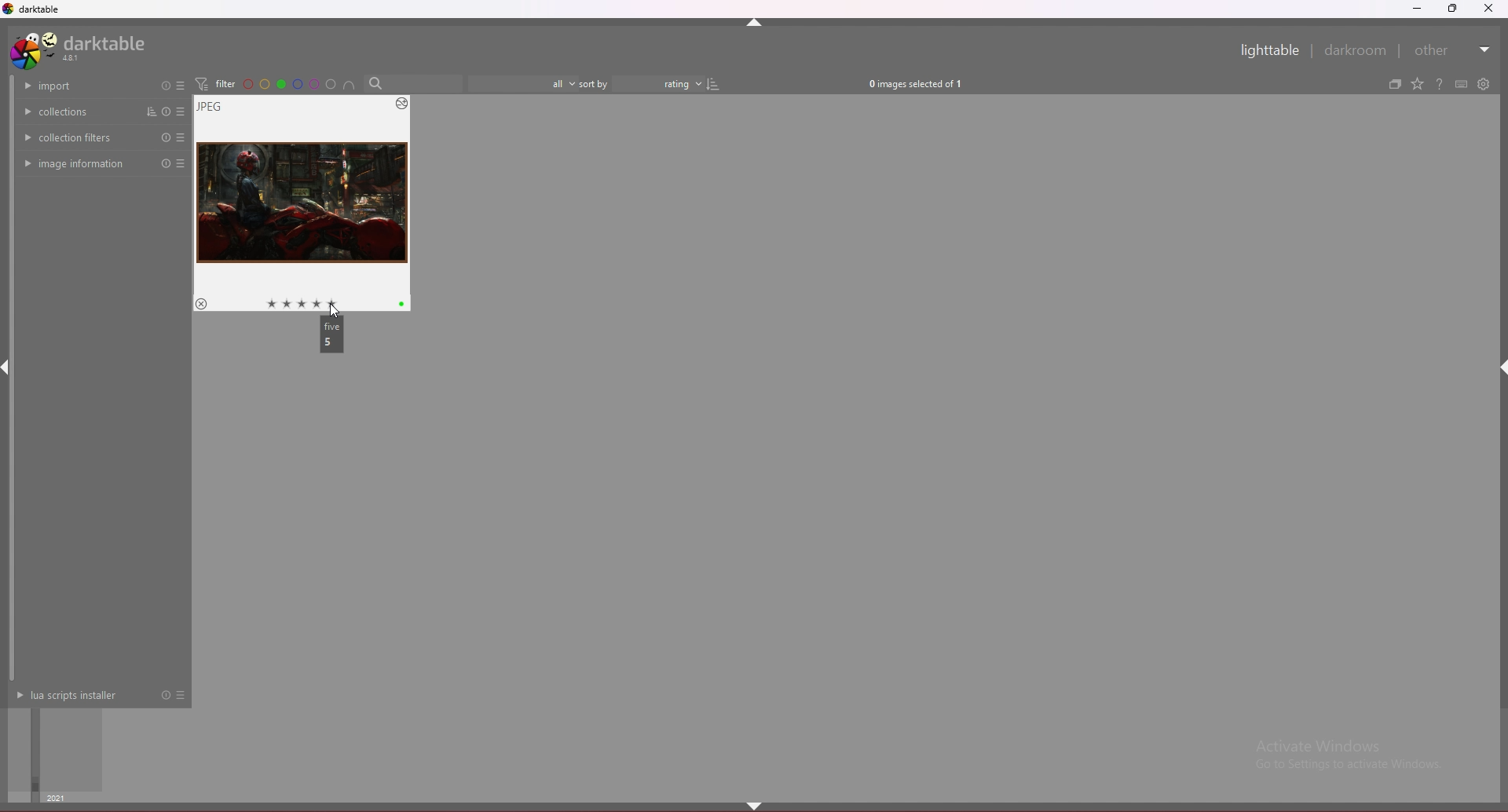 This screenshot has height=812, width=1508. Describe the element at coordinates (751, 801) in the screenshot. I see `hide` at that location.